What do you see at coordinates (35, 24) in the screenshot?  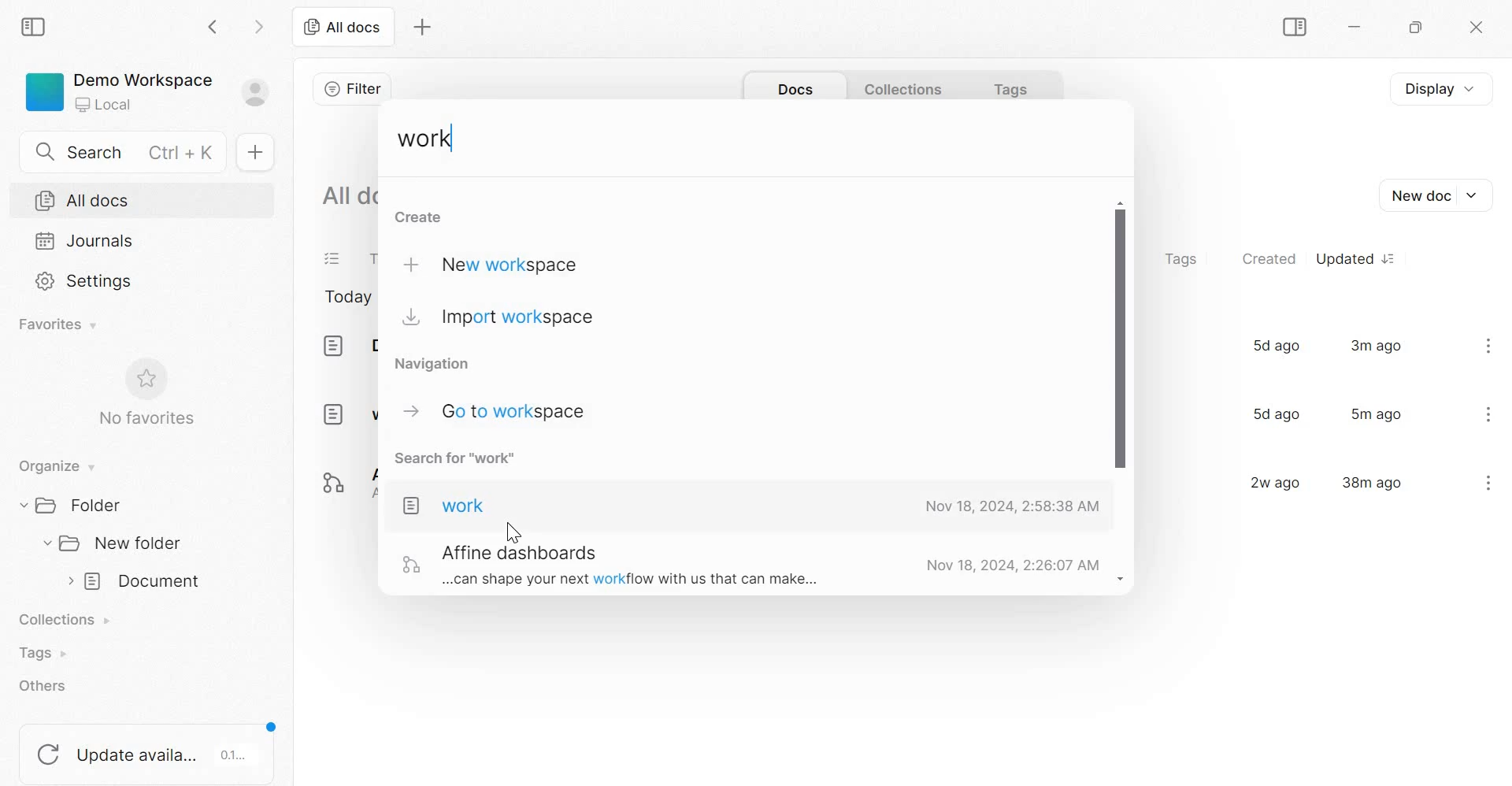 I see `sidebar toggle` at bounding box center [35, 24].